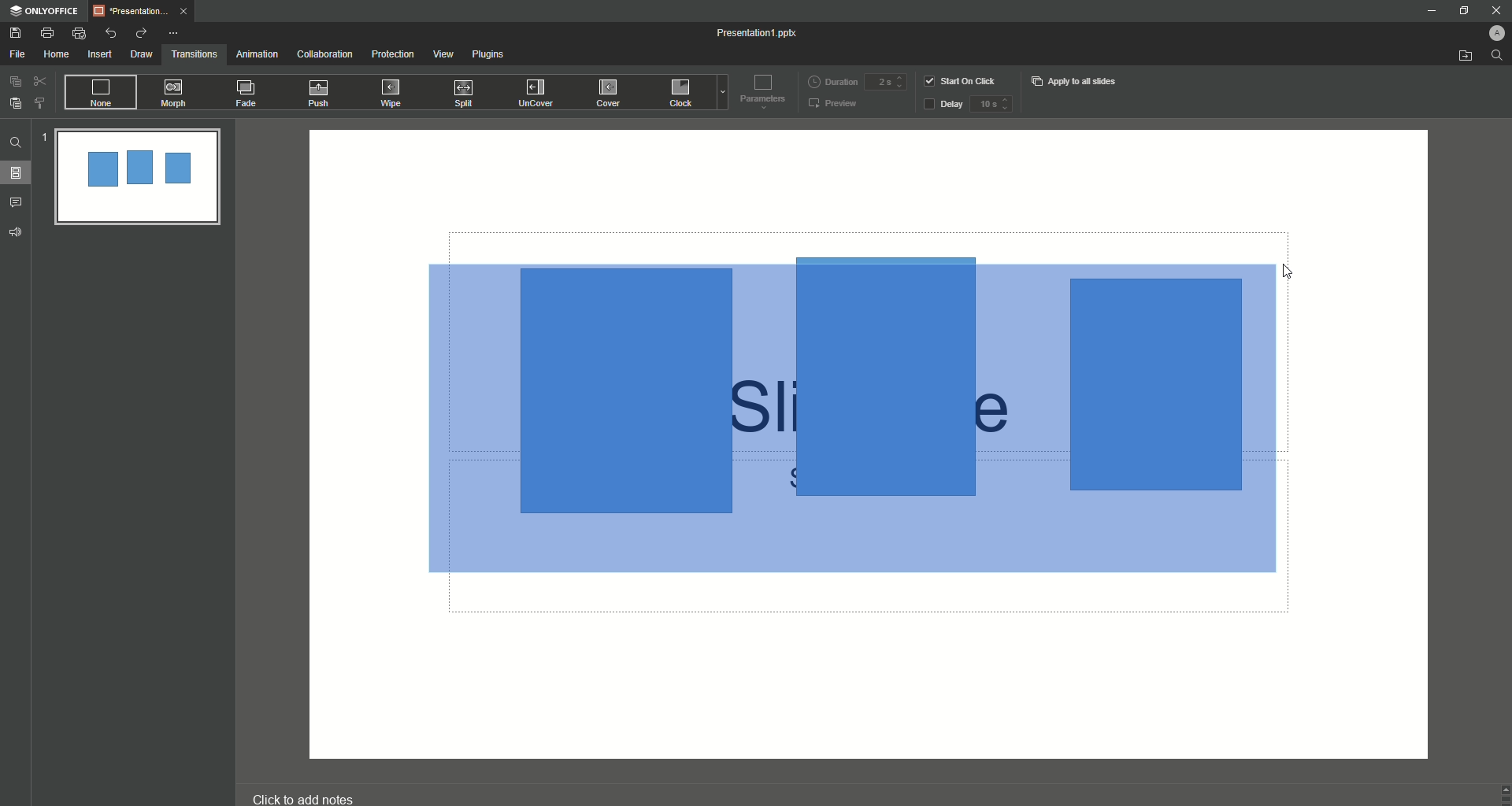 The image size is (1512, 806). I want to click on Cut, so click(40, 80).